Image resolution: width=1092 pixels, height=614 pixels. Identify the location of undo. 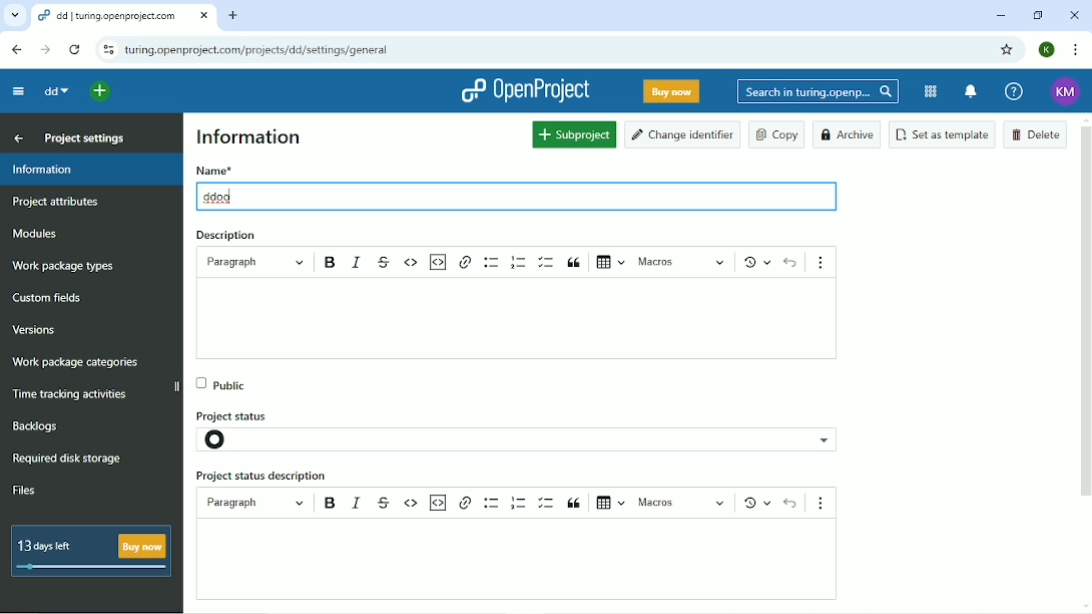
(790, 502).